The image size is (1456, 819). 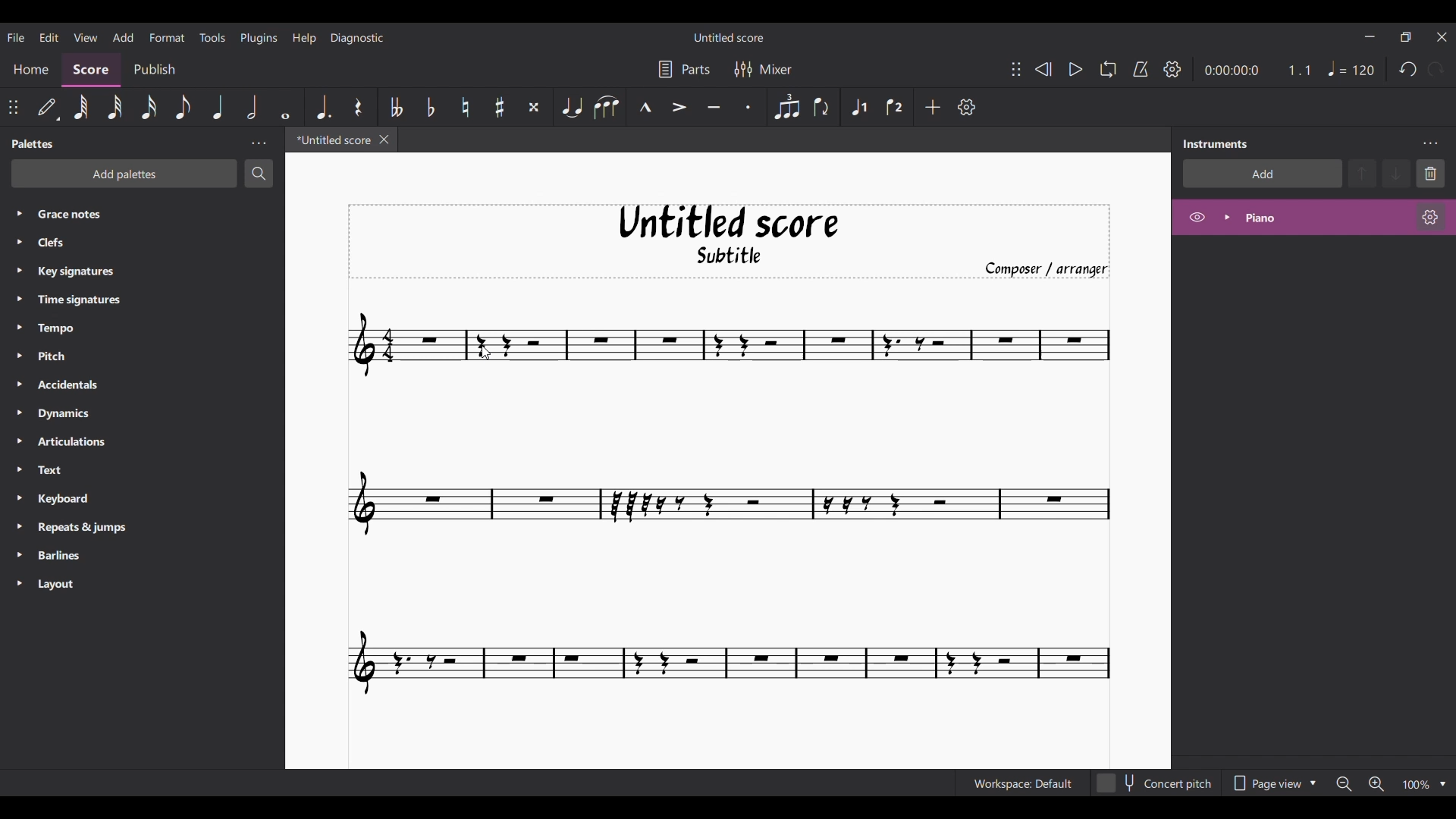 What do you see at coordinates (729, 504) in the screenshot?
I see `Current score` at bounding box center [729, 504].